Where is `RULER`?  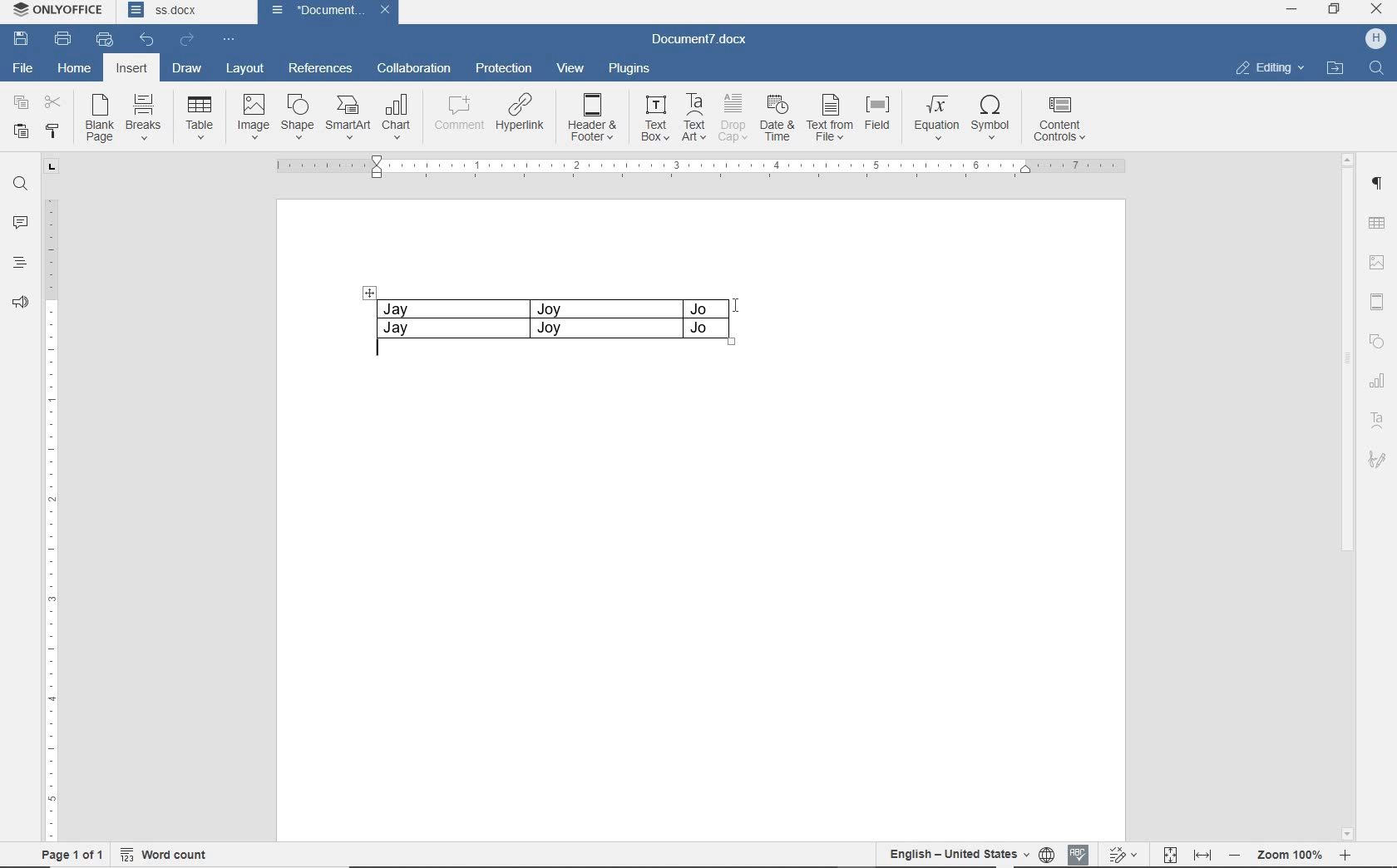 RULER is located at coordinates (705, 167).